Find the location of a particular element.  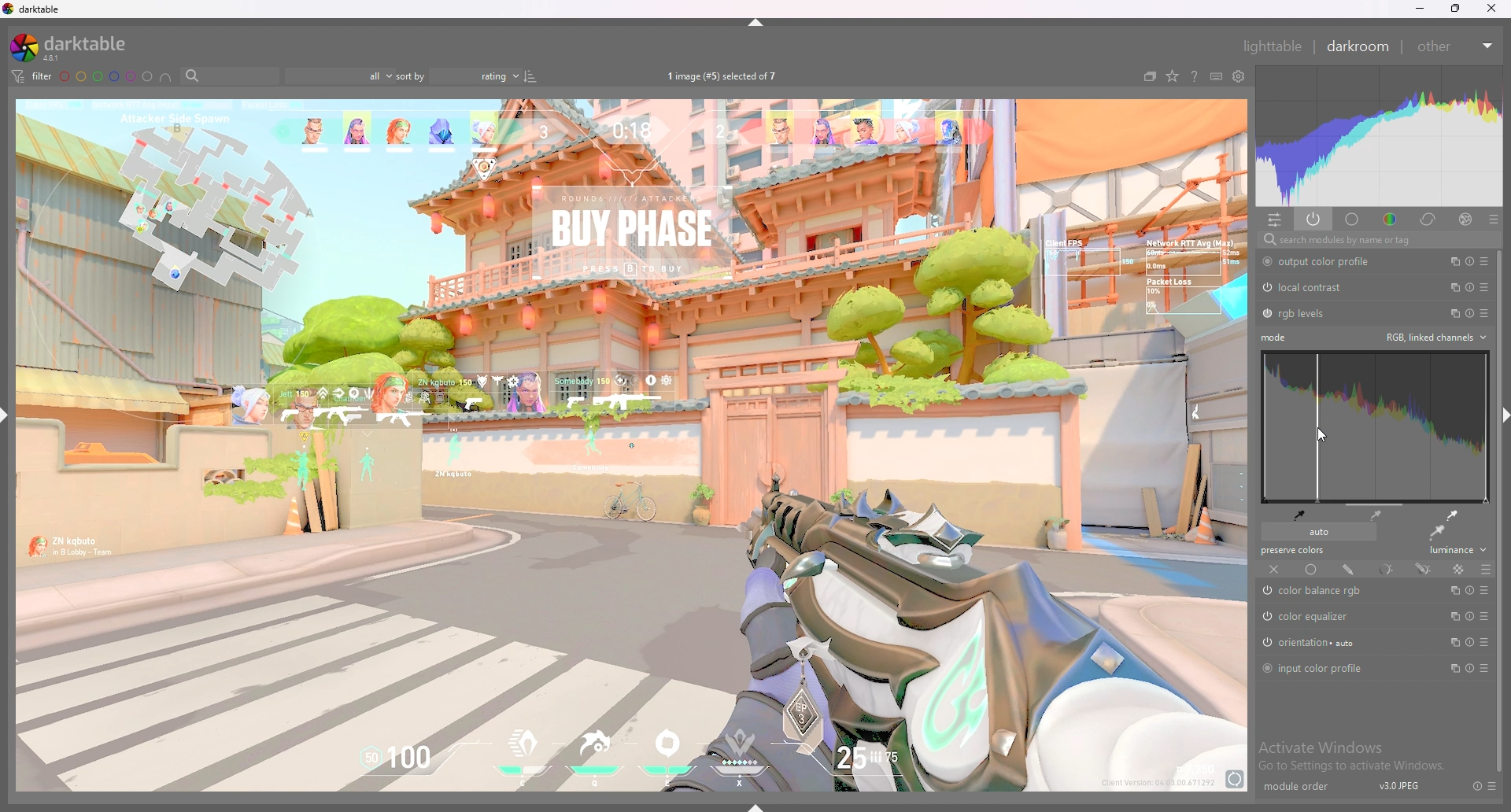

module order is located at coordinates (1295, 788).